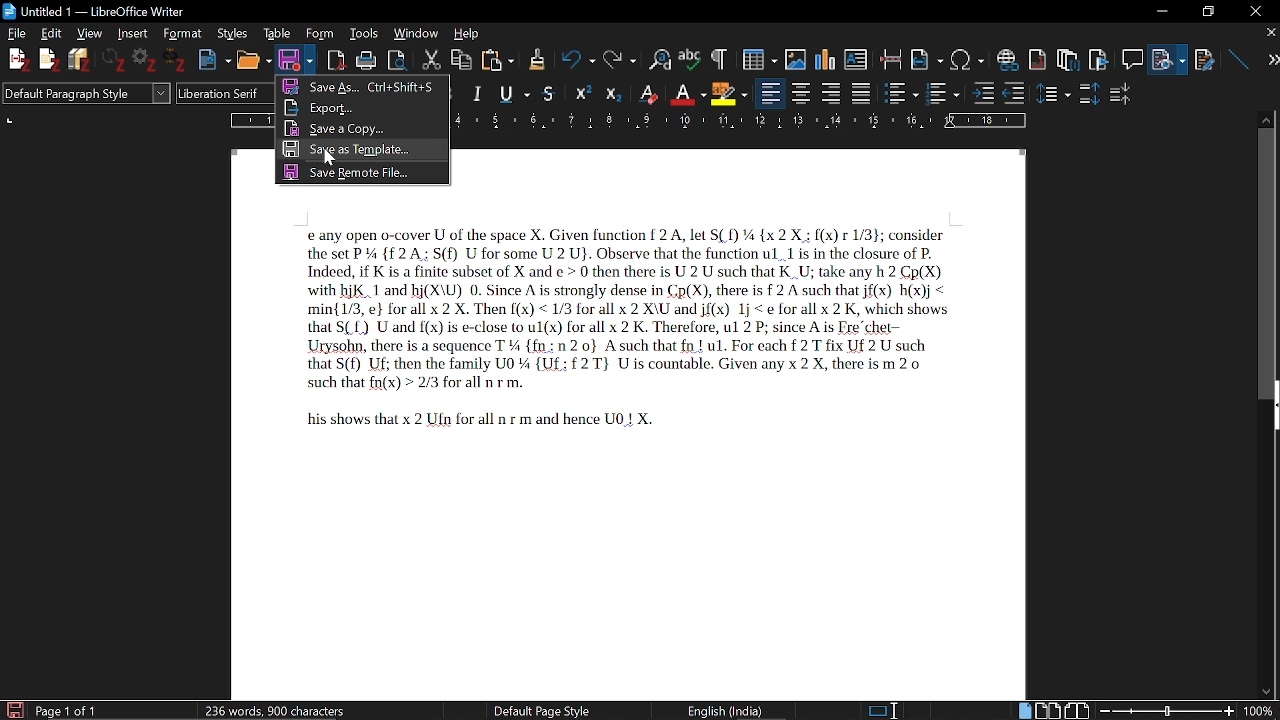  I want to click on save as, so click(361, 86).